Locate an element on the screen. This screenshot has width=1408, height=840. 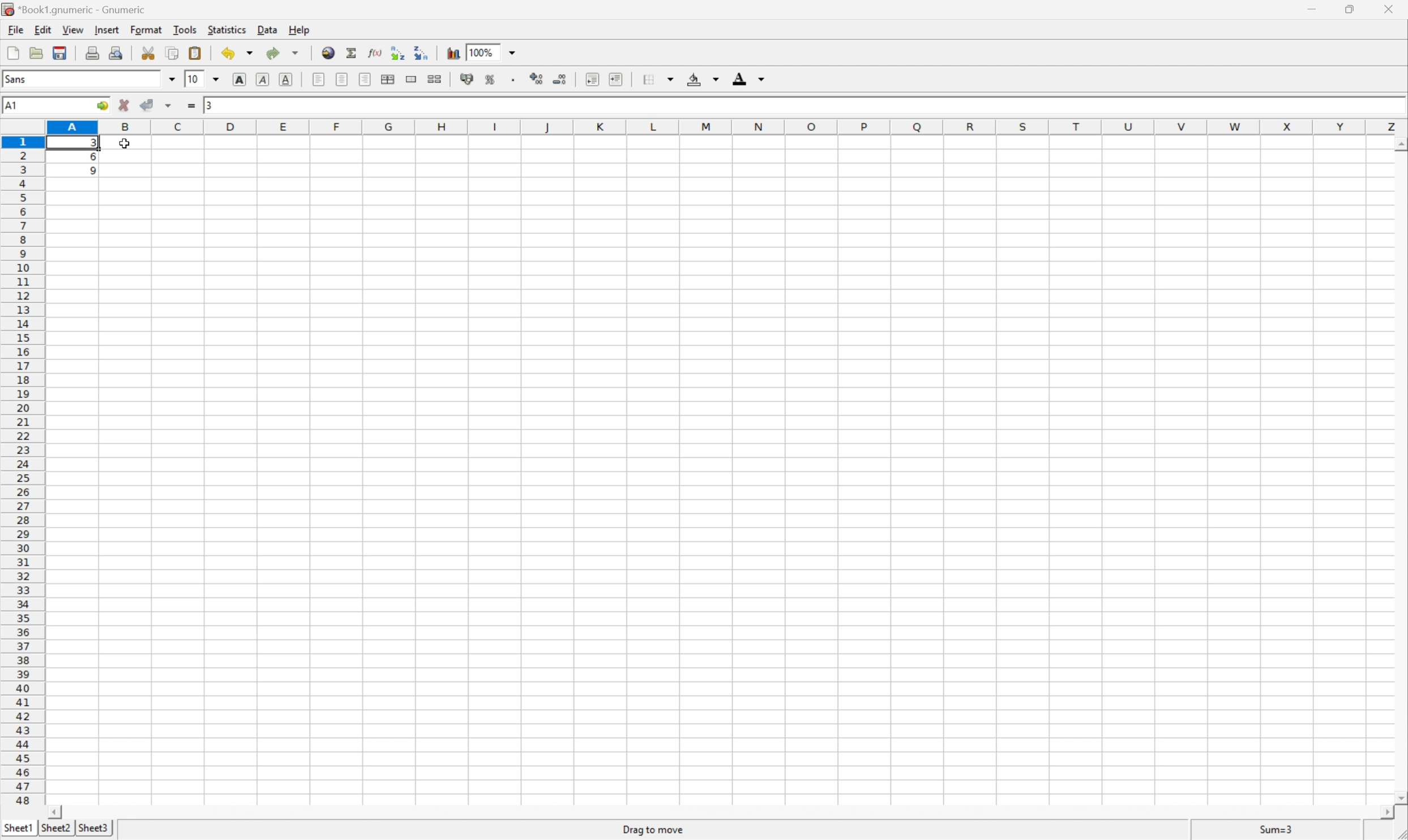
10 is located at coordinates (194, 80).